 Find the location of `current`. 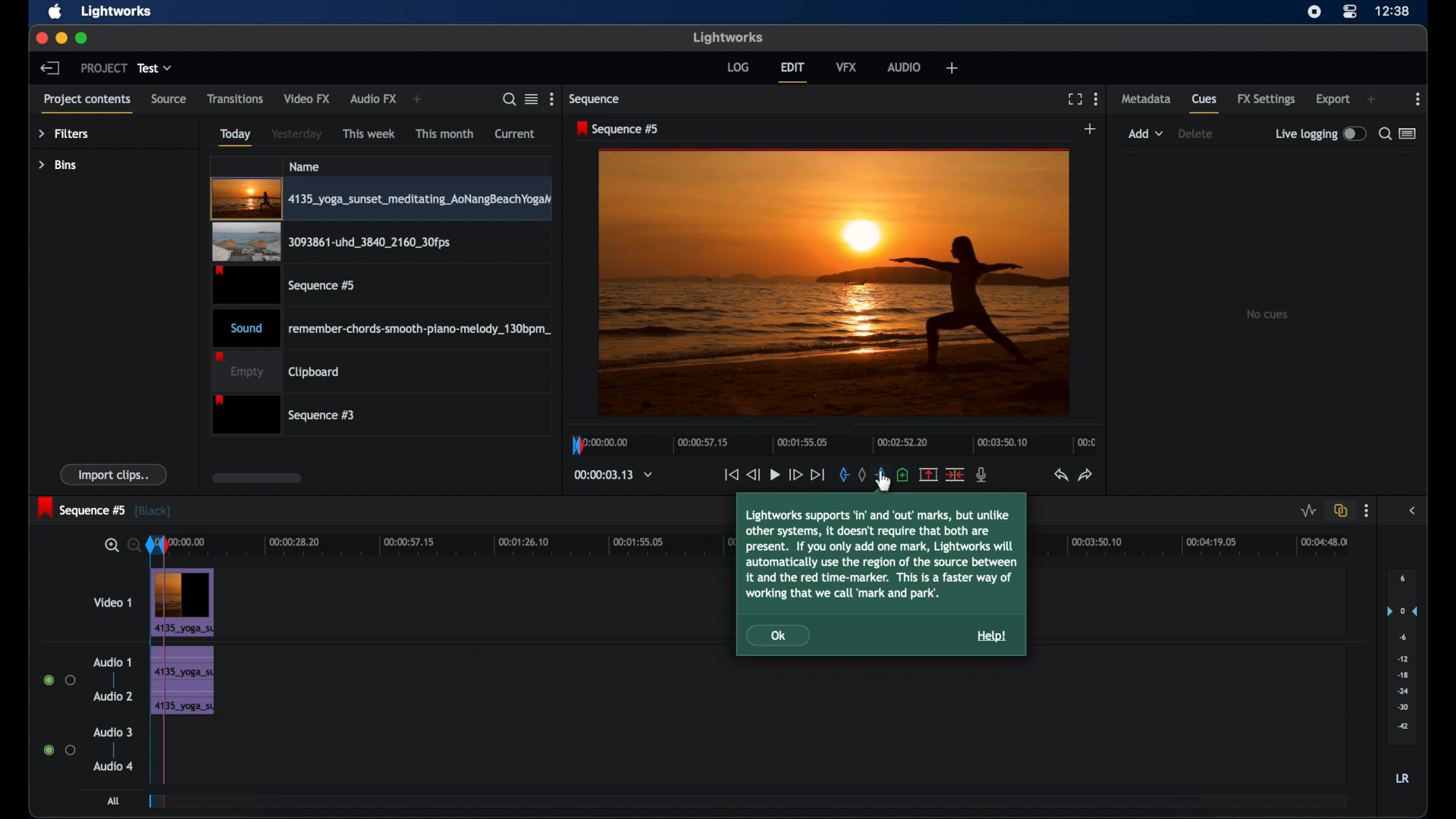

current is located at coordinates (515, 134).